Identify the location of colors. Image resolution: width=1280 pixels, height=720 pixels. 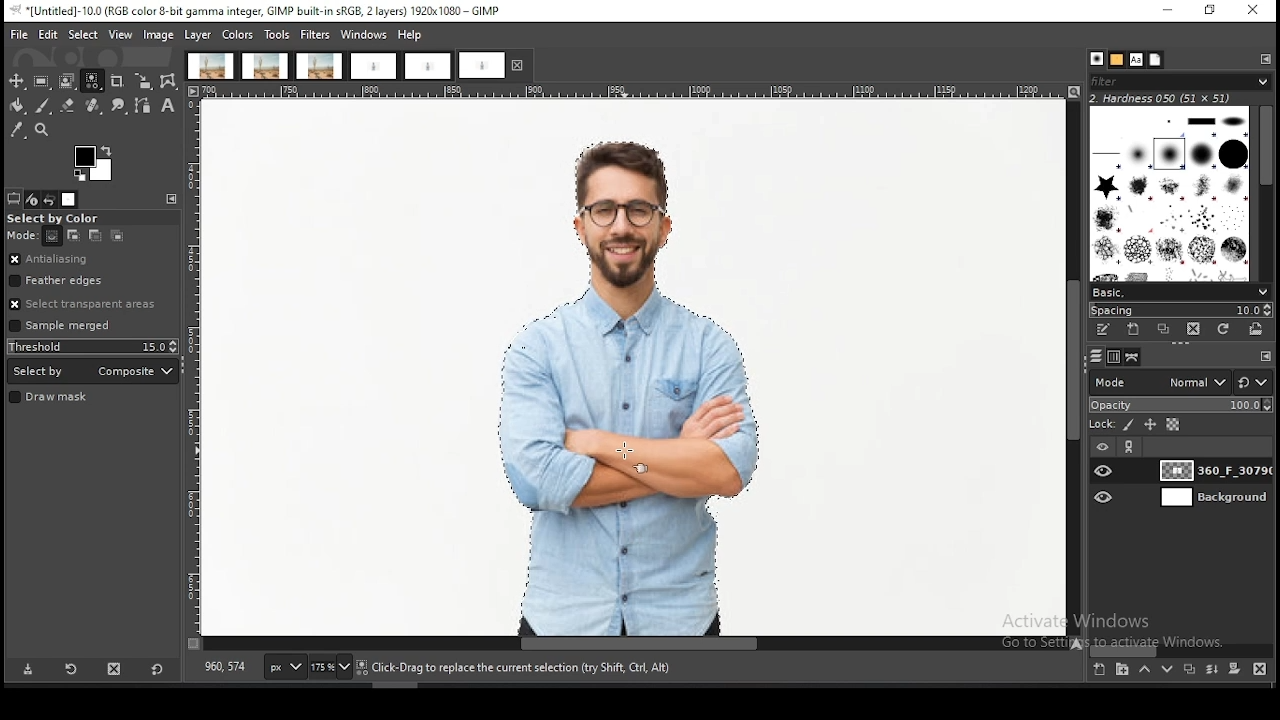
(237, 35).